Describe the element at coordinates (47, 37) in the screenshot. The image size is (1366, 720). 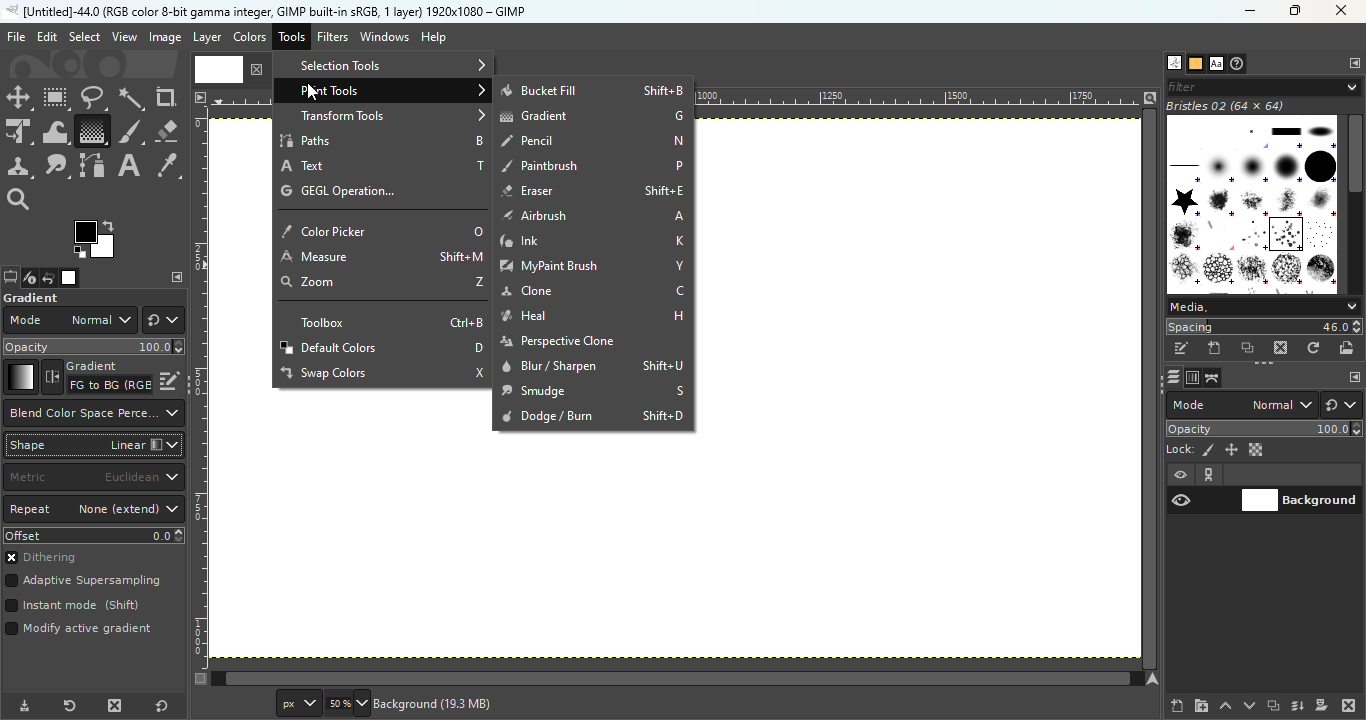
I see `Edit` at that location.